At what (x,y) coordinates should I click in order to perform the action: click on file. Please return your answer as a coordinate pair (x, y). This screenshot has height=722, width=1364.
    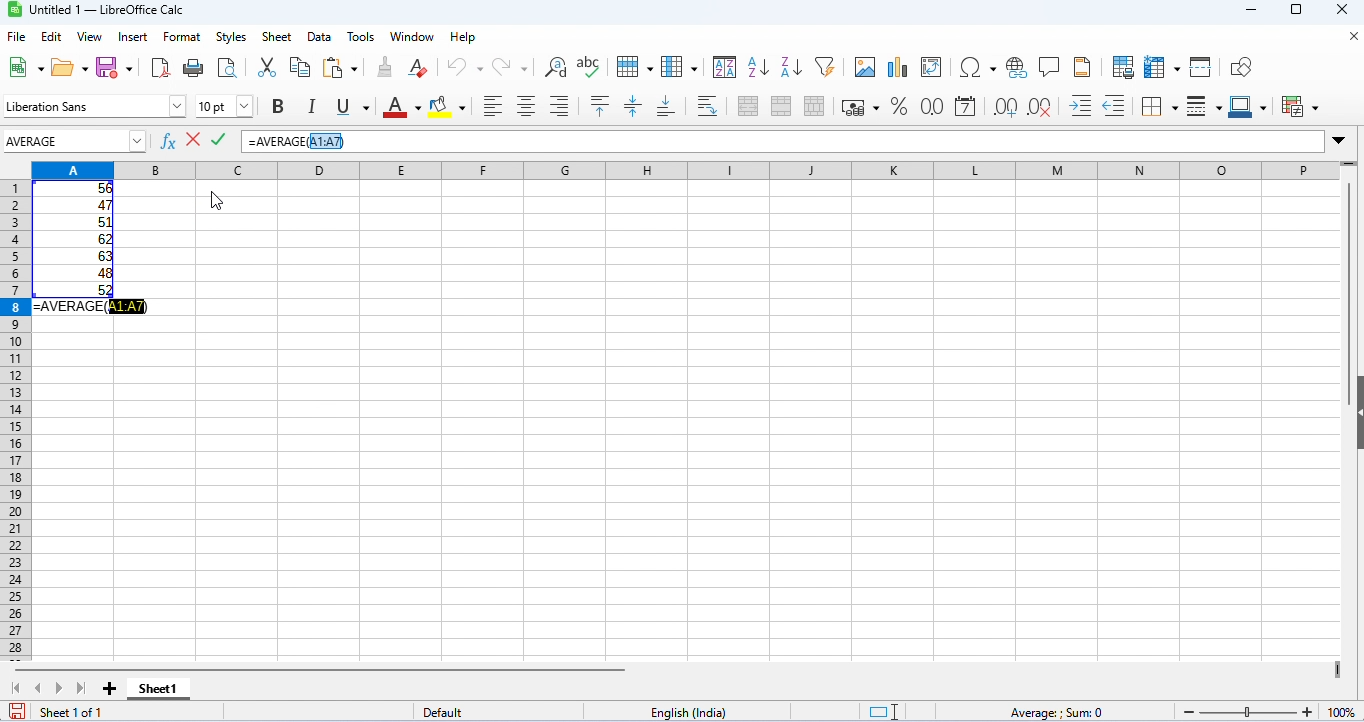
    Looking at the image, I should click on (16, 37).